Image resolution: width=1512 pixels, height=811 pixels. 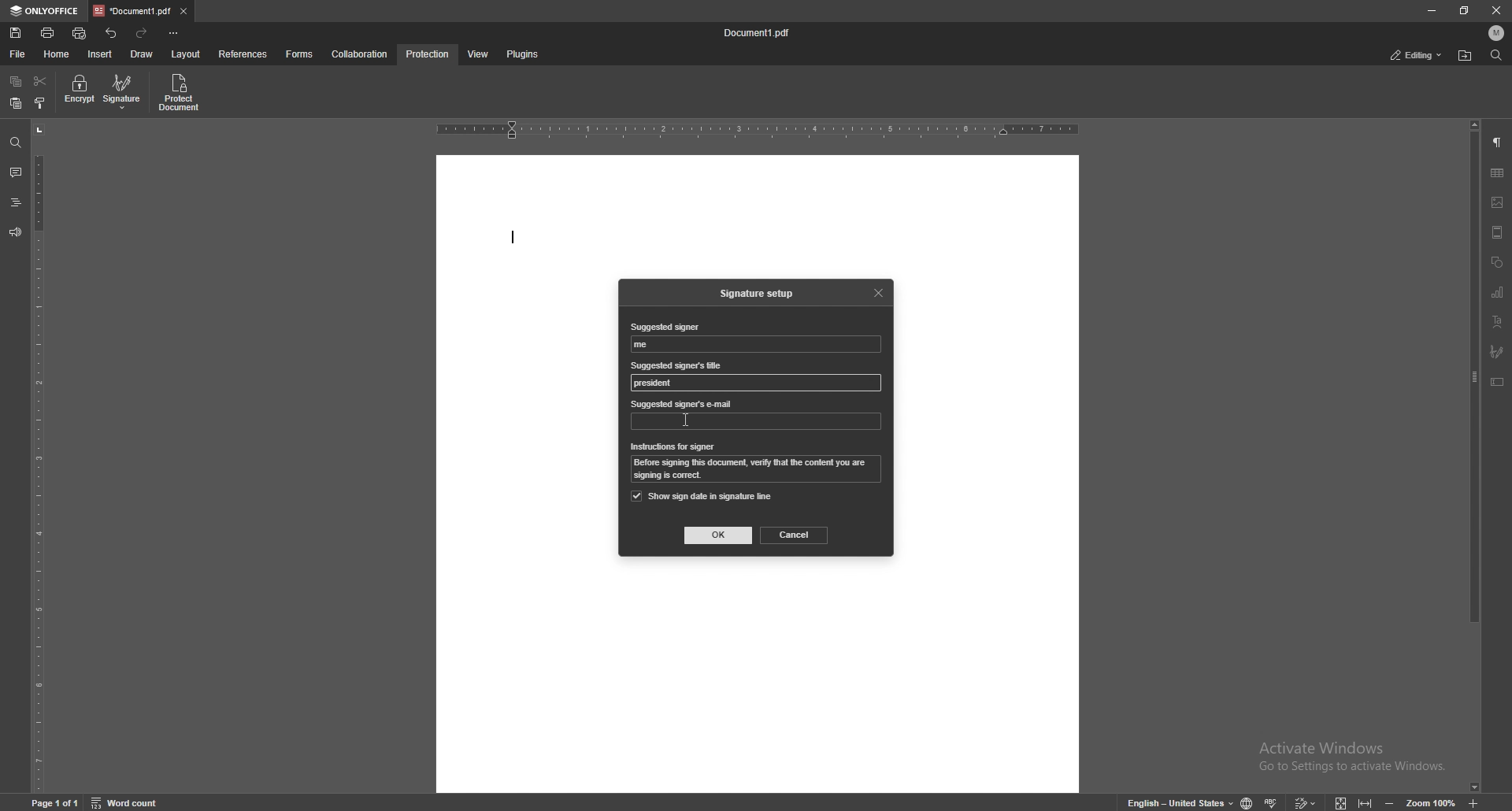 I want to click on signature, so click(x=1497, y=352).